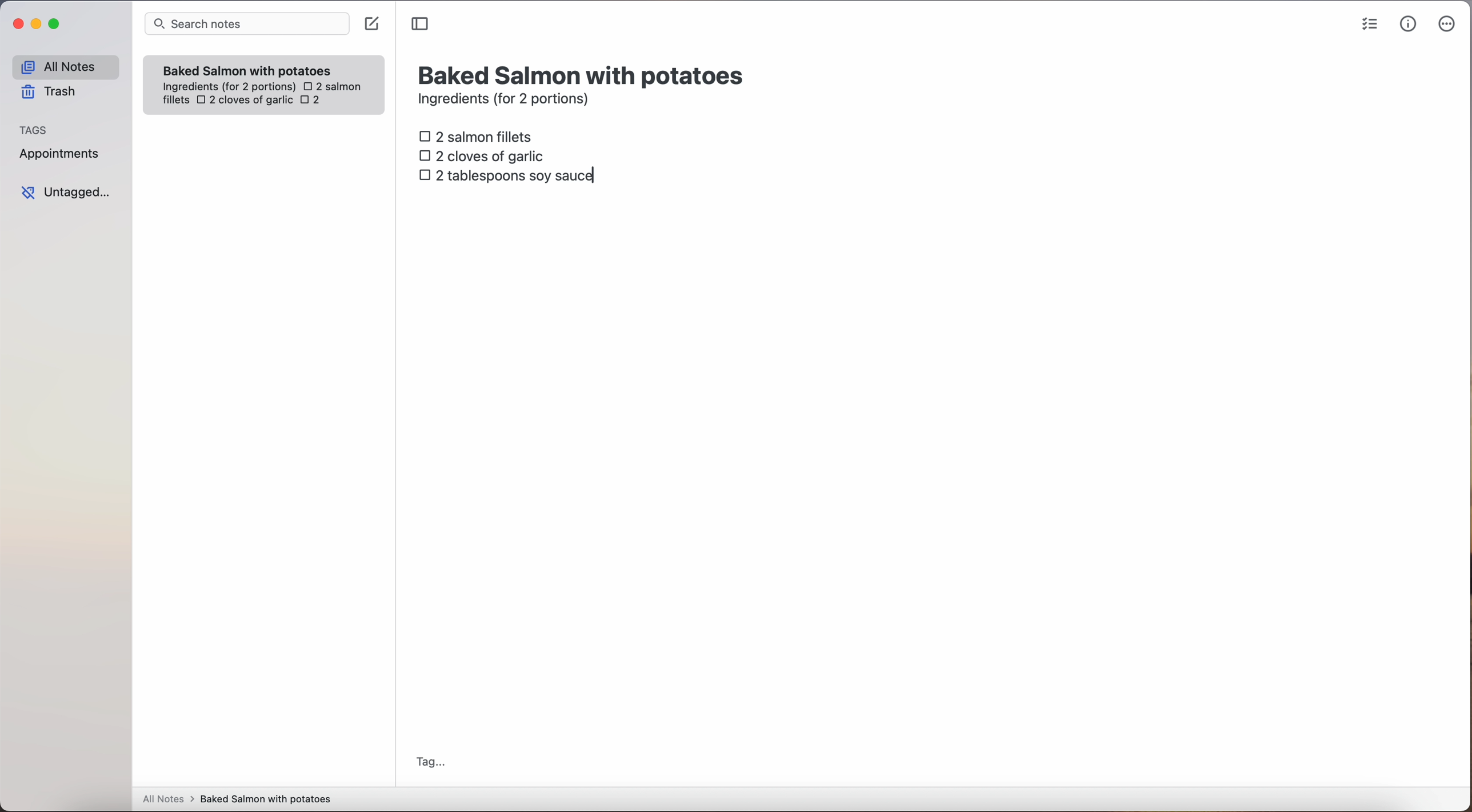  What do you see at coordinates (1449, 25) in the screenshot?
I see `more options` at bounding box center [1449, 25].